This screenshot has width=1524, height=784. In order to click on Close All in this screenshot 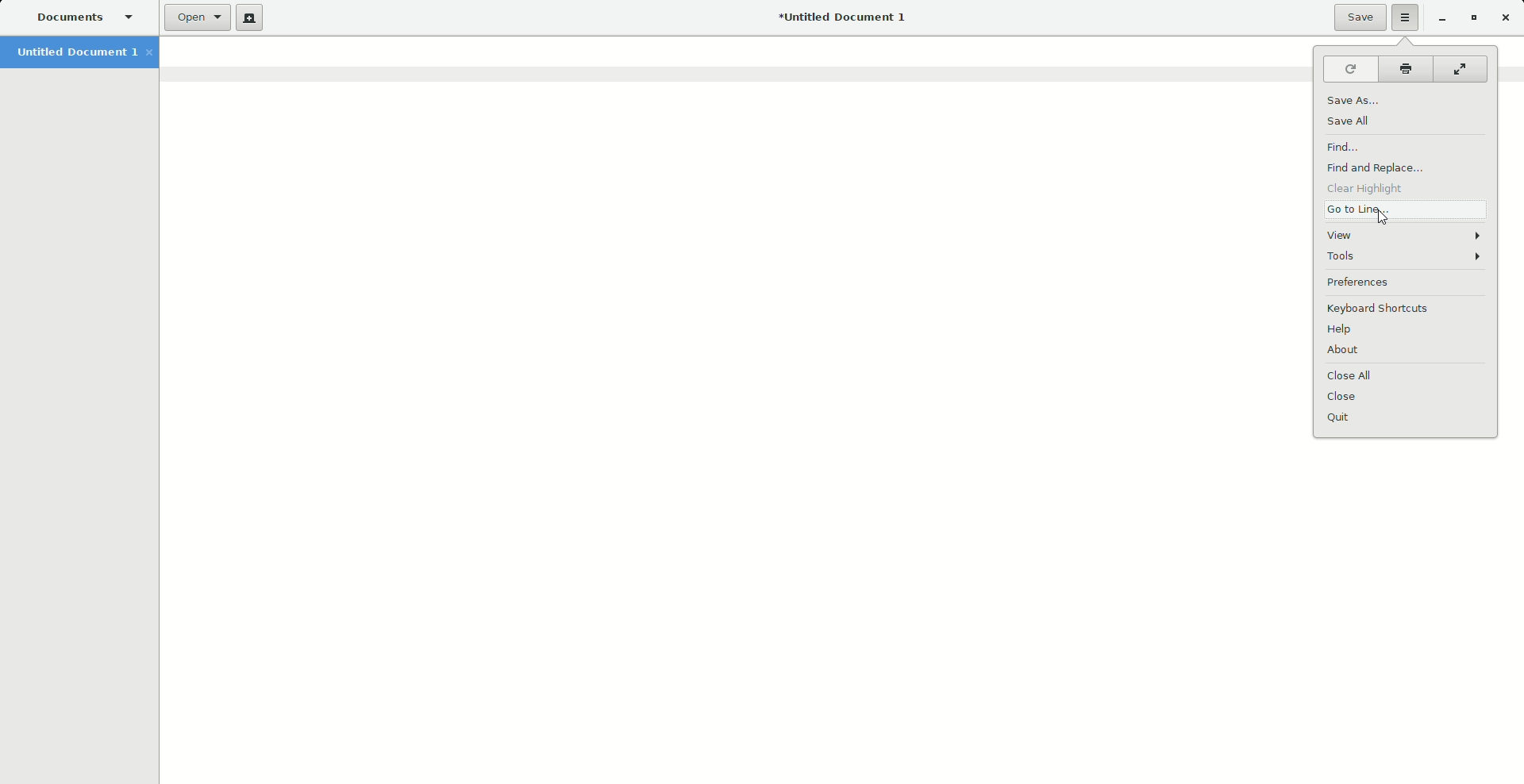, I will do `click(1360, 376)`.